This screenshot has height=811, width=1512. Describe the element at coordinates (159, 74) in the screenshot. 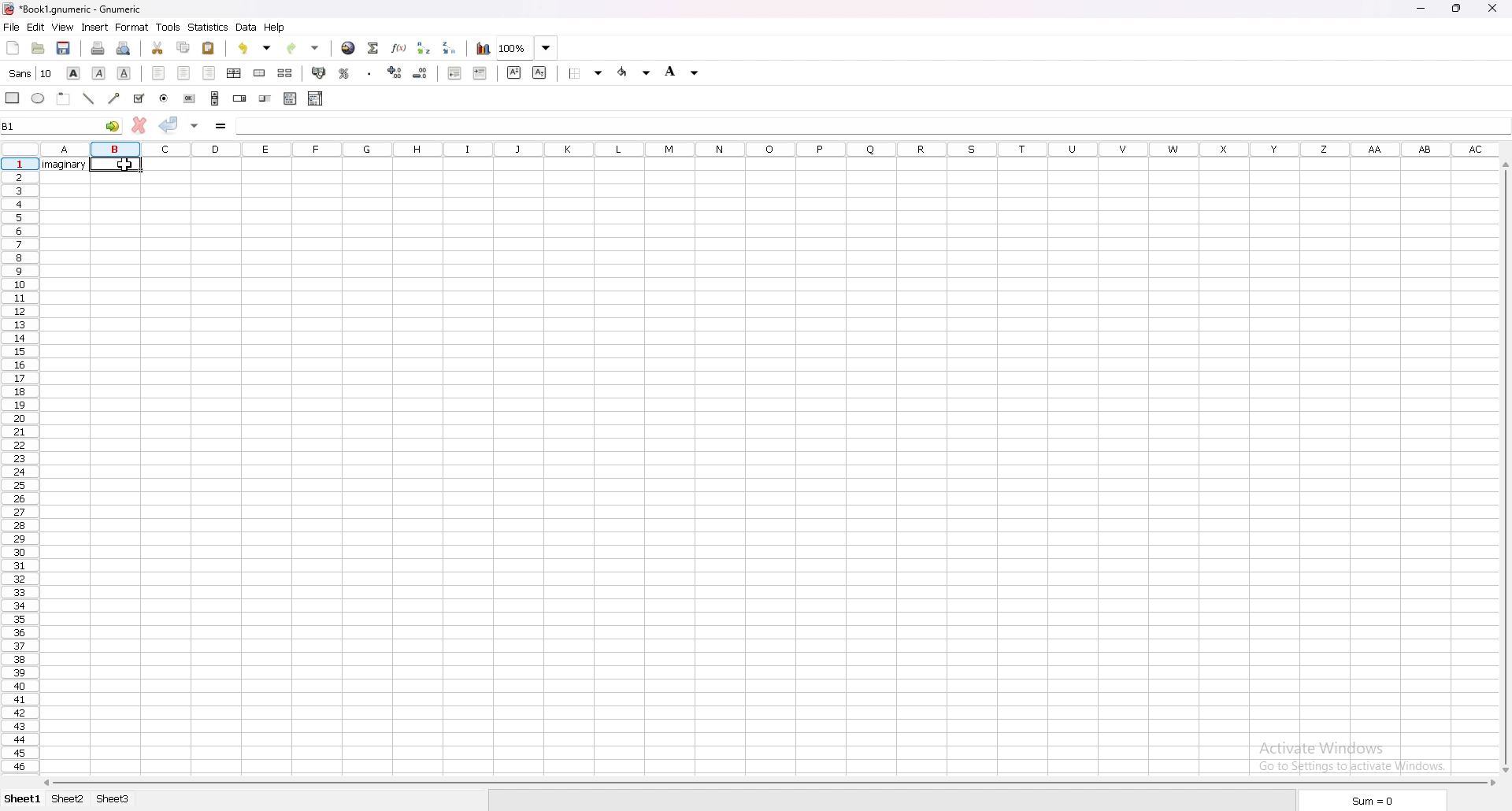

I see `left align` at that location.